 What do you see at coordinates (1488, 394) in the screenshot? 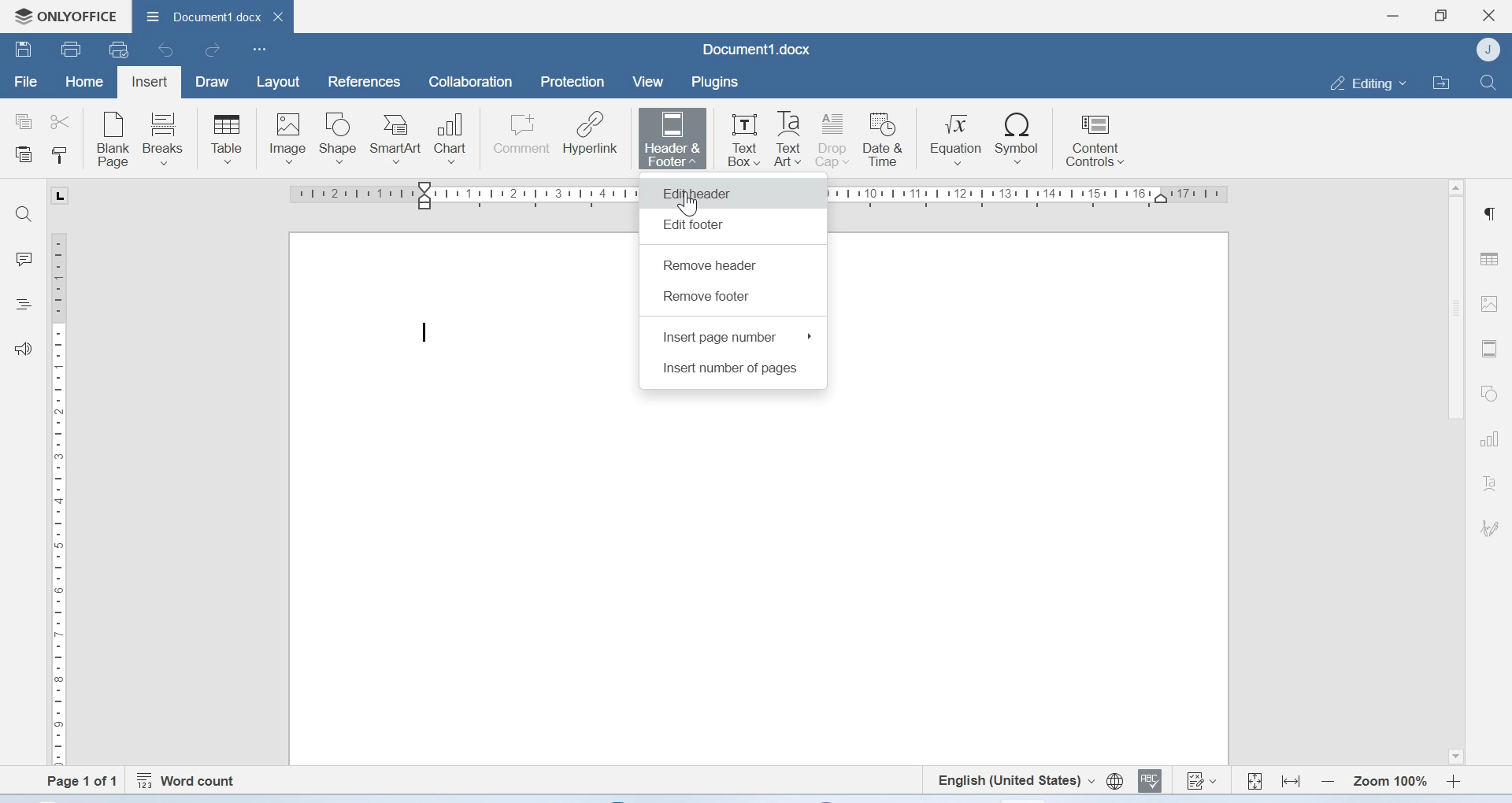
I see `Shapes` at bounding box center [1488, 394].